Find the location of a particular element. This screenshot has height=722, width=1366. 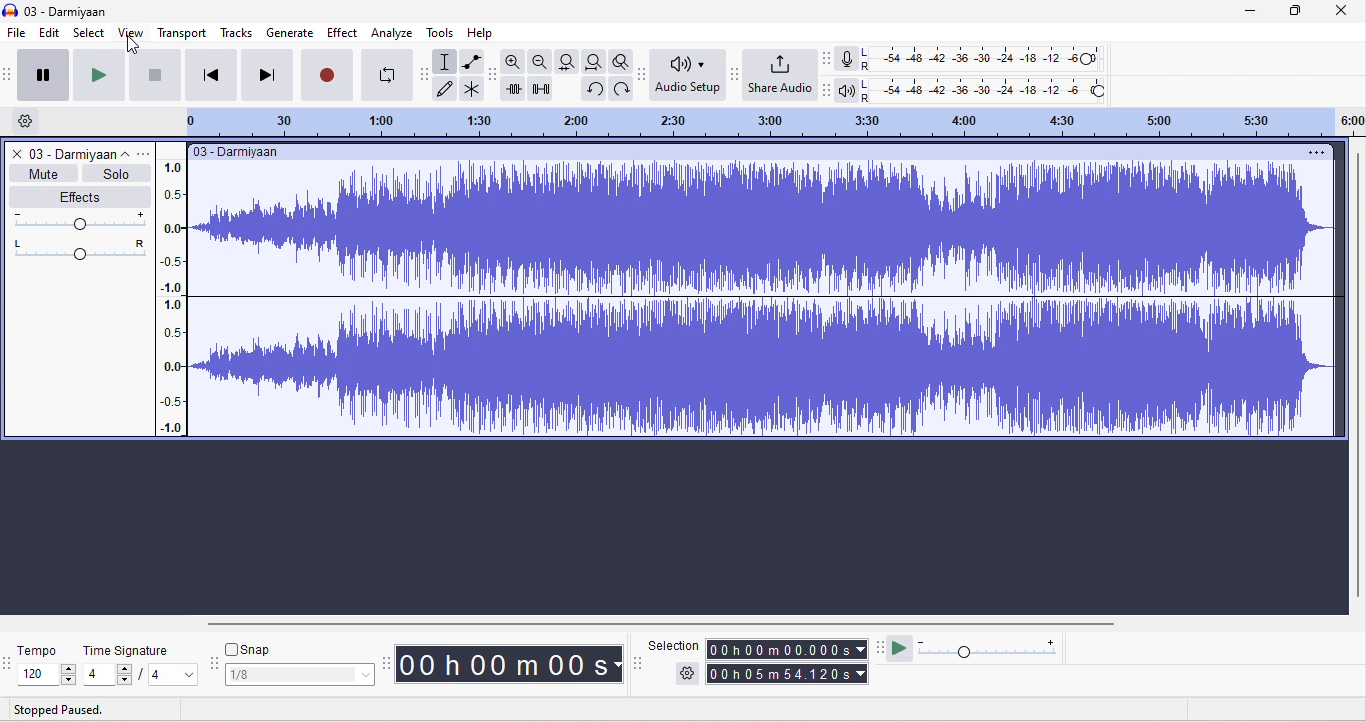

track options is located at coordinates (143, 155).